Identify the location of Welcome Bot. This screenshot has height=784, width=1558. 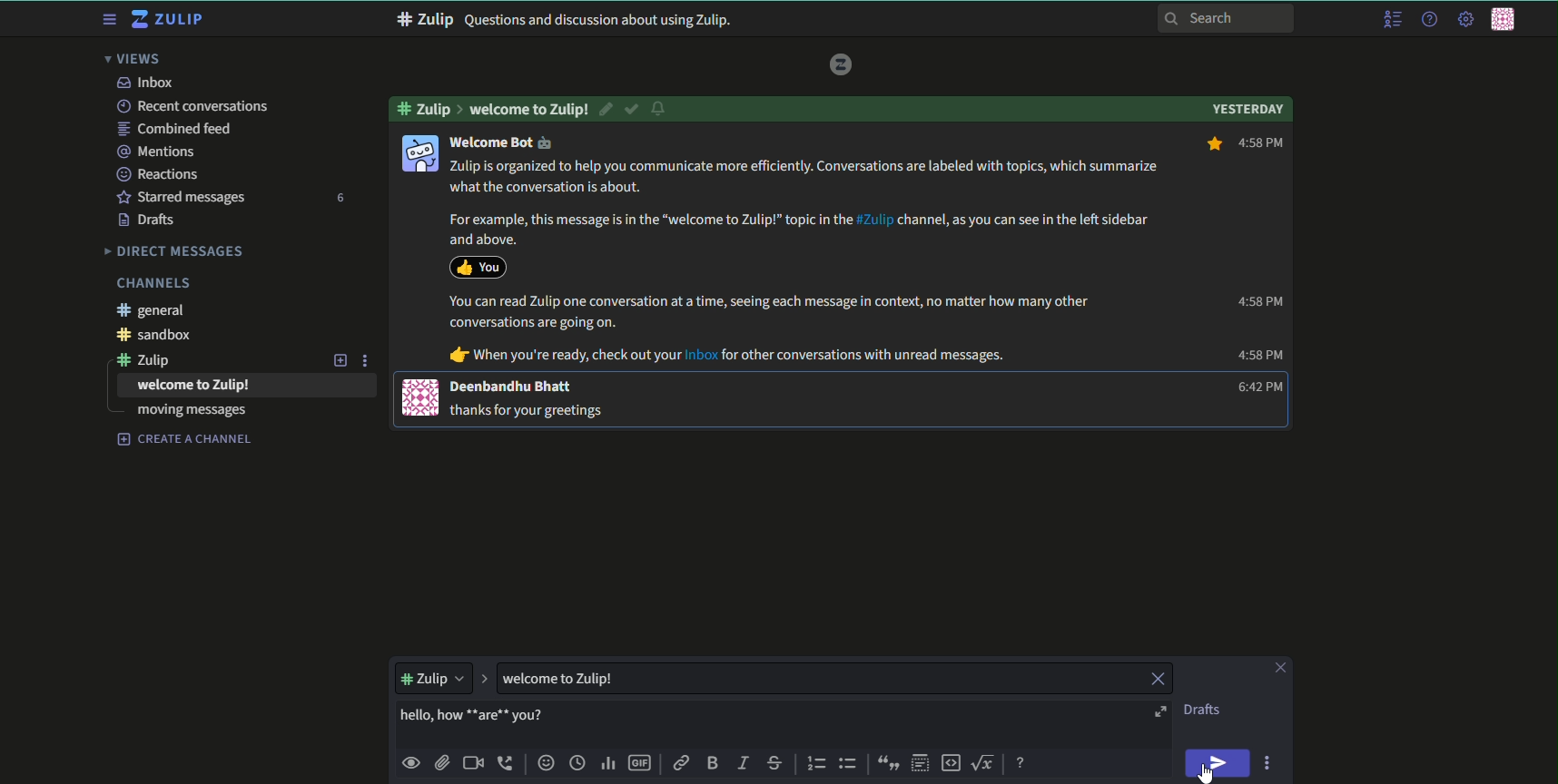
(504, 142).